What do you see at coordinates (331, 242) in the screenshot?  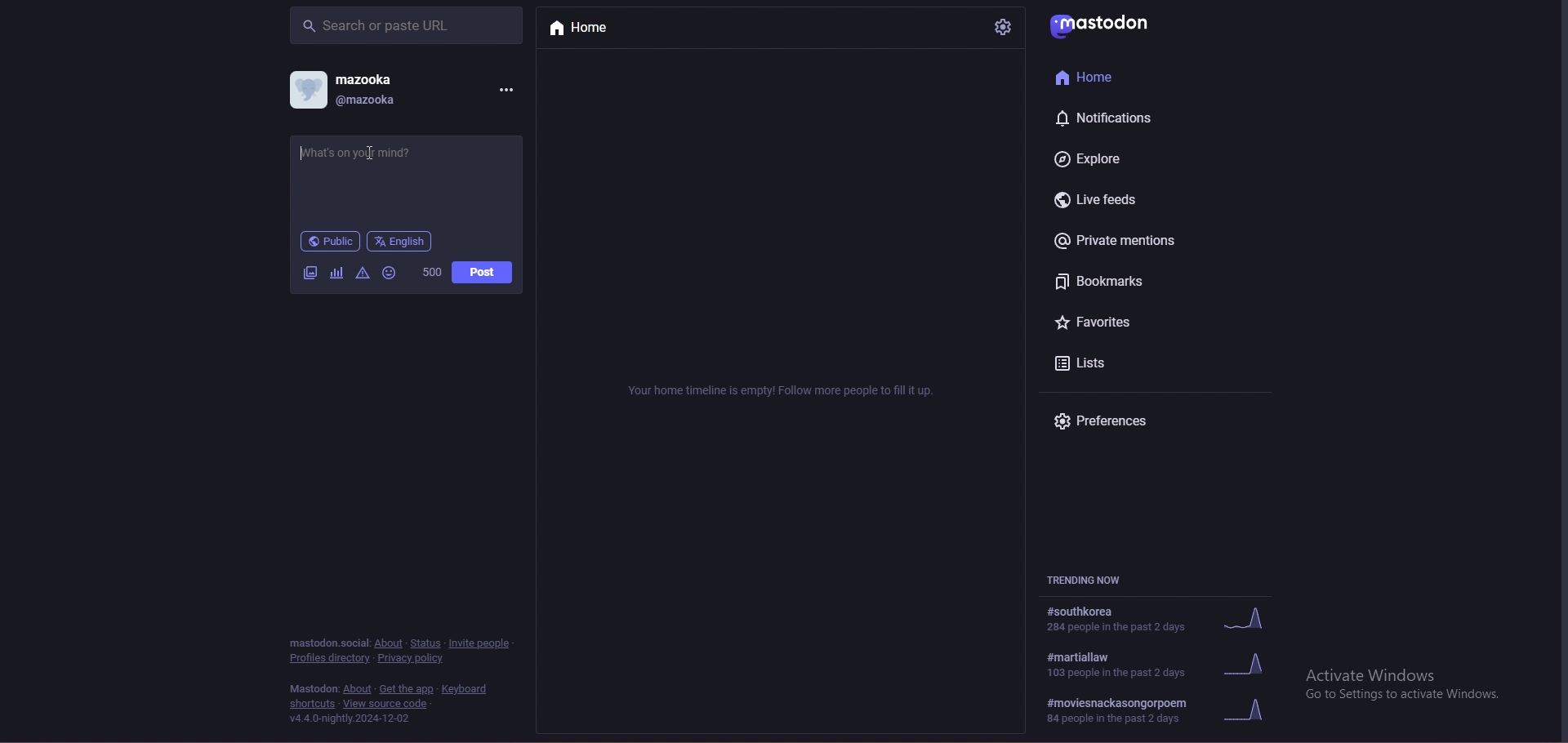 I see `public` at bounding box center [331, 242].